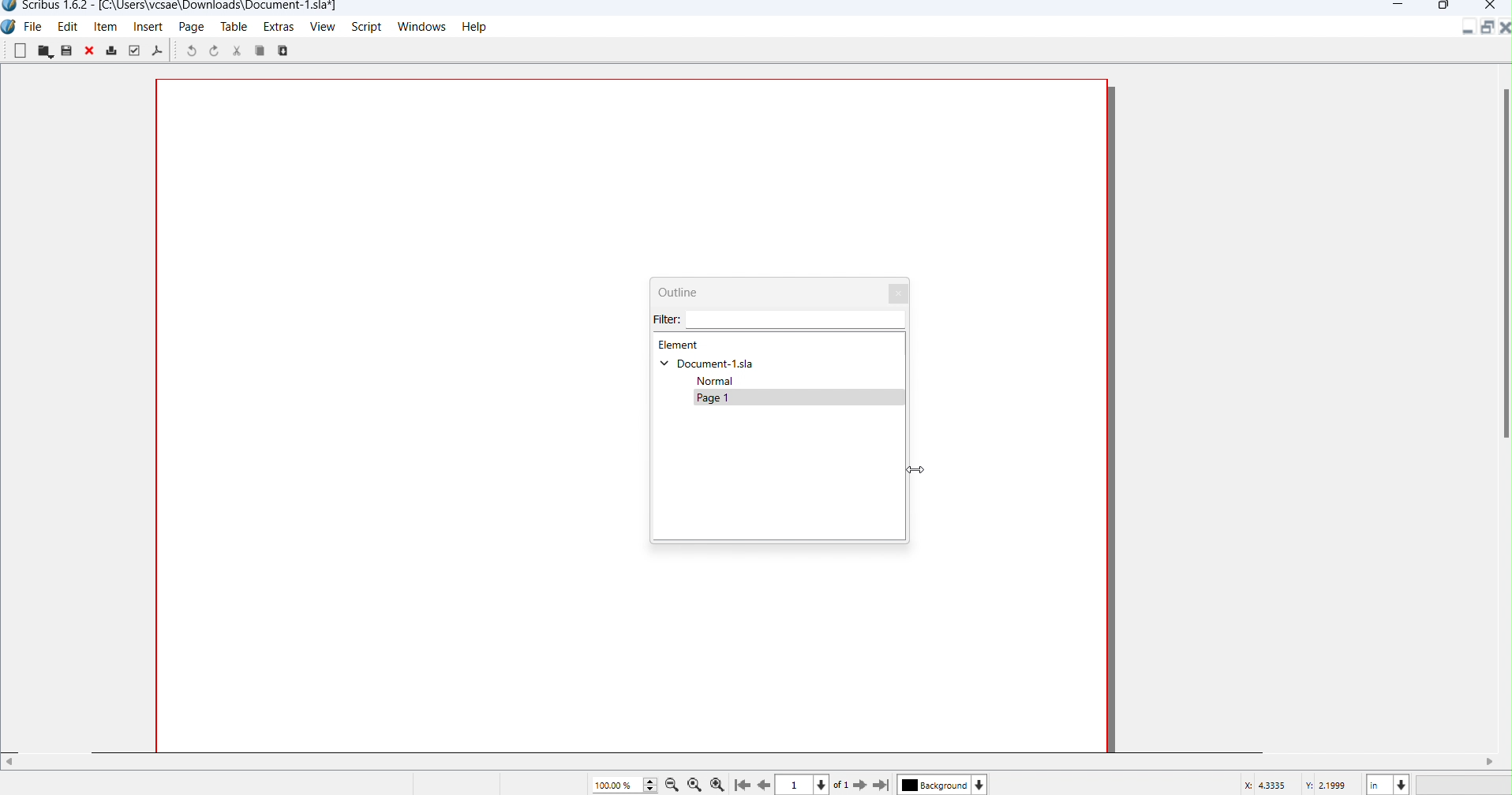 This screenshot has width=1512, height=795. What do you see at coordinates (797, 783) in the screenshot?
I see `View options` at bounding box center [797, 783].